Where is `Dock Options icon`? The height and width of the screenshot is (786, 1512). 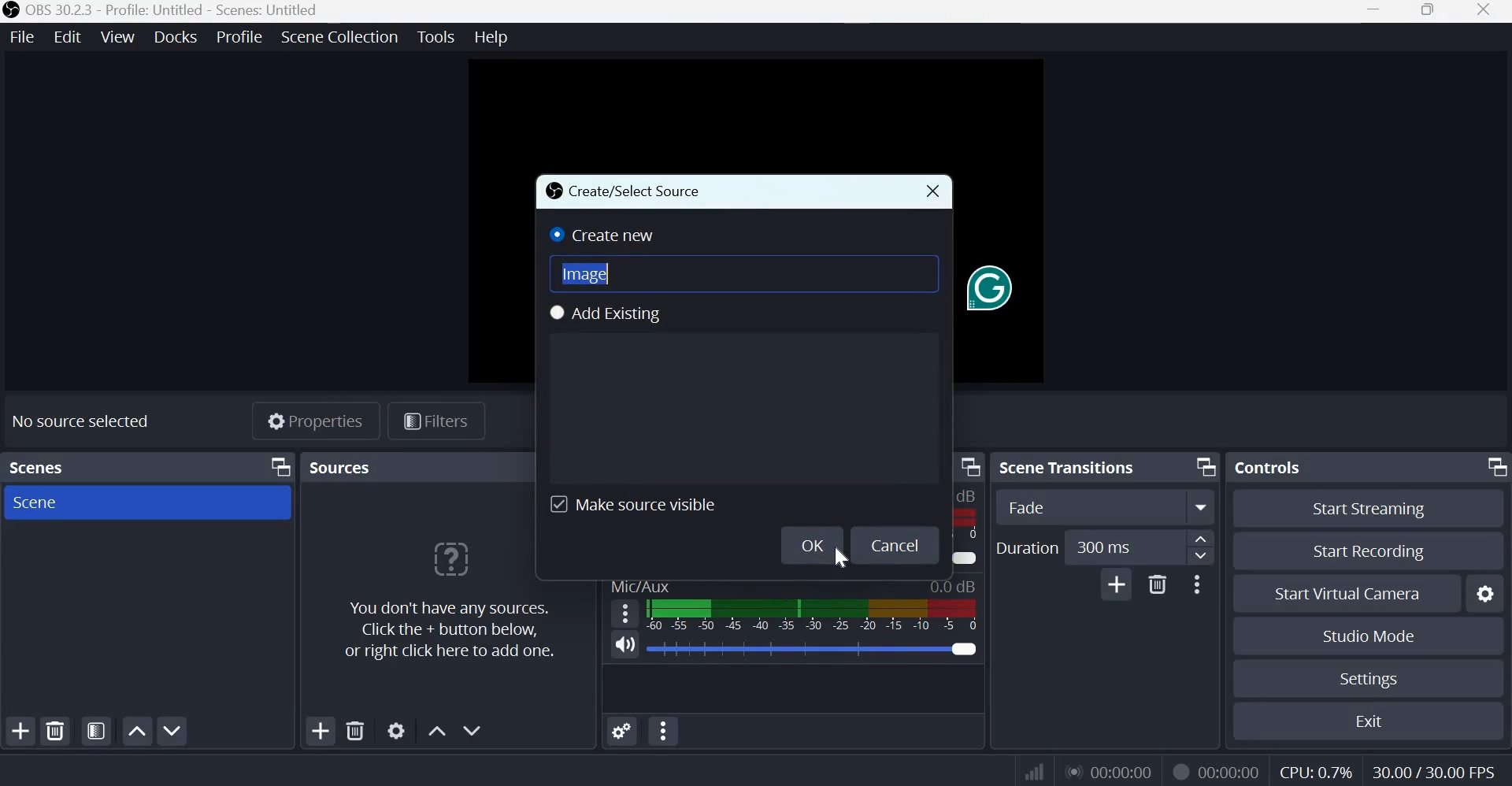 Dock Options icon is located at coordinates (1493, 468).